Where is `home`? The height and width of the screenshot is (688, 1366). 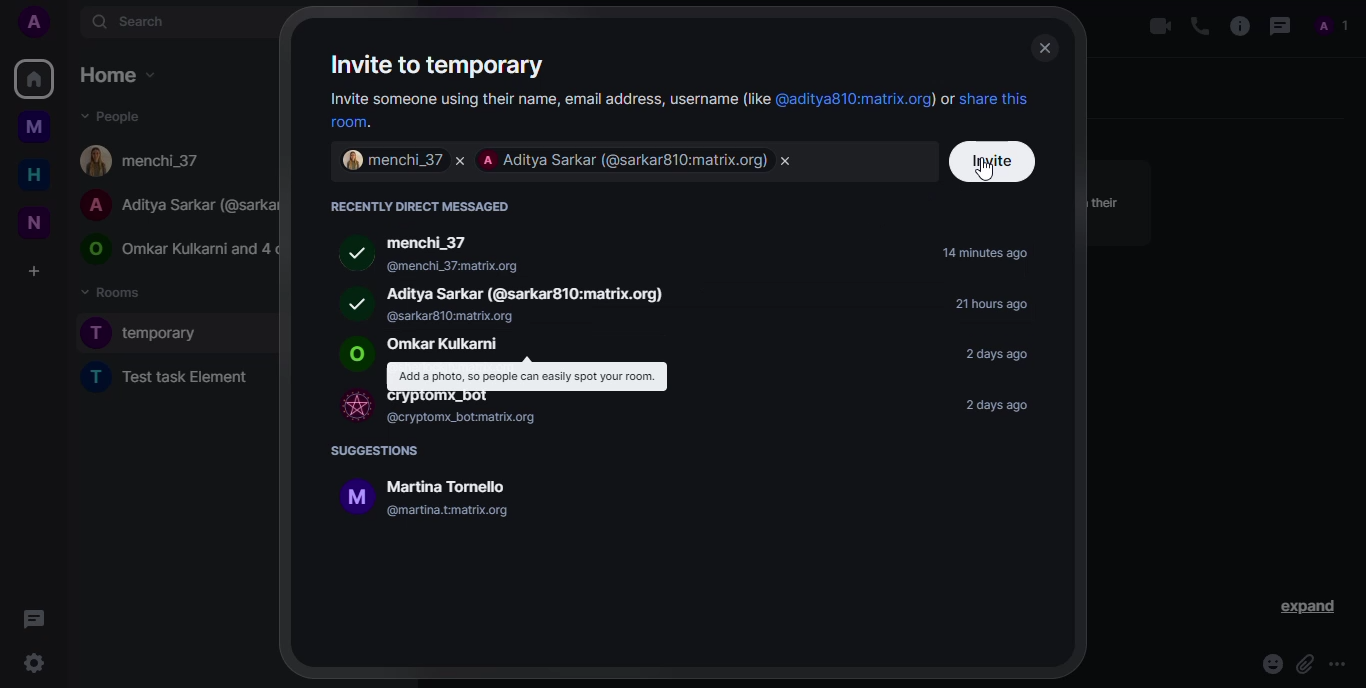 home is located at coordinates (117, 75).